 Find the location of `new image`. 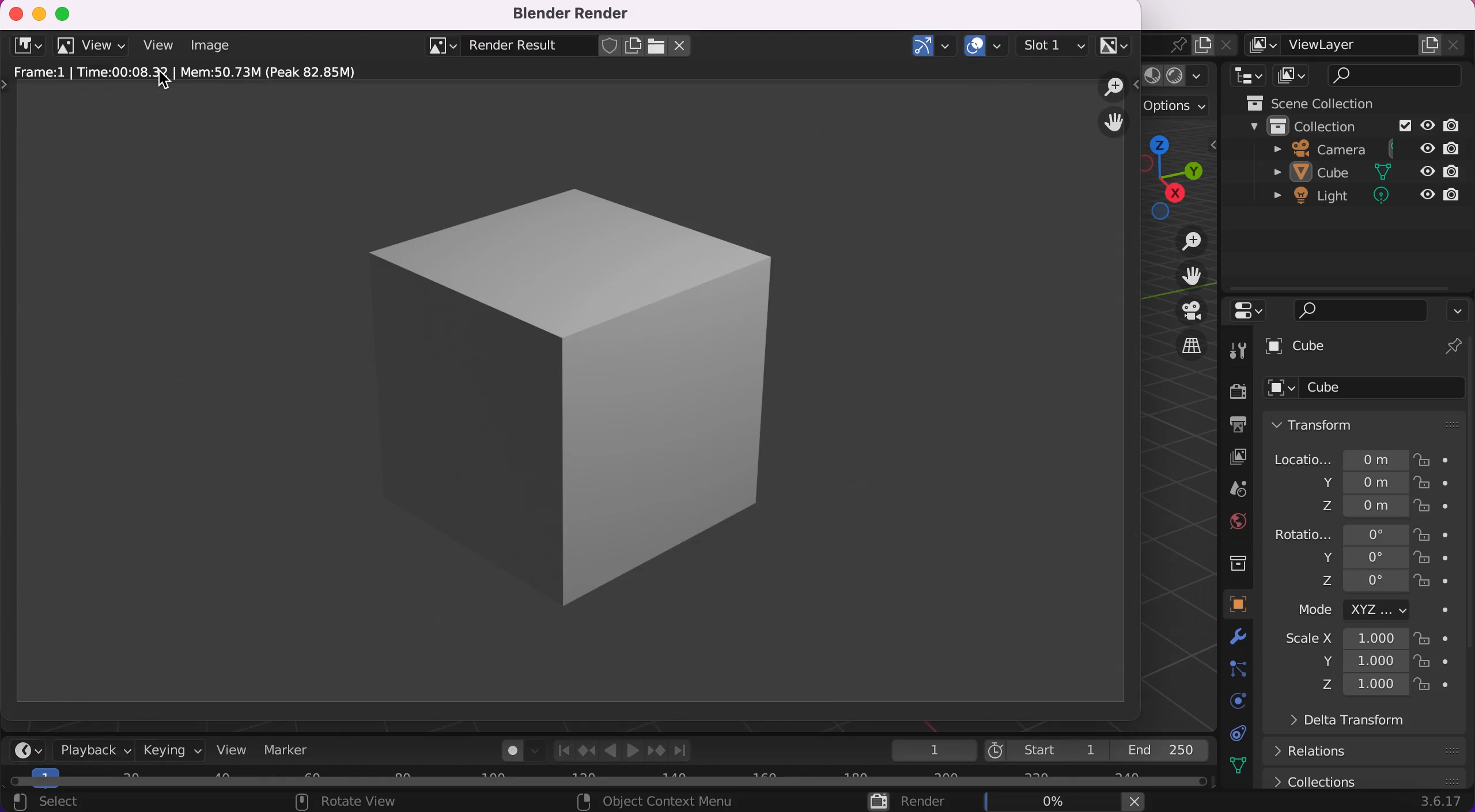

new image is located at coordinates (634, 46).